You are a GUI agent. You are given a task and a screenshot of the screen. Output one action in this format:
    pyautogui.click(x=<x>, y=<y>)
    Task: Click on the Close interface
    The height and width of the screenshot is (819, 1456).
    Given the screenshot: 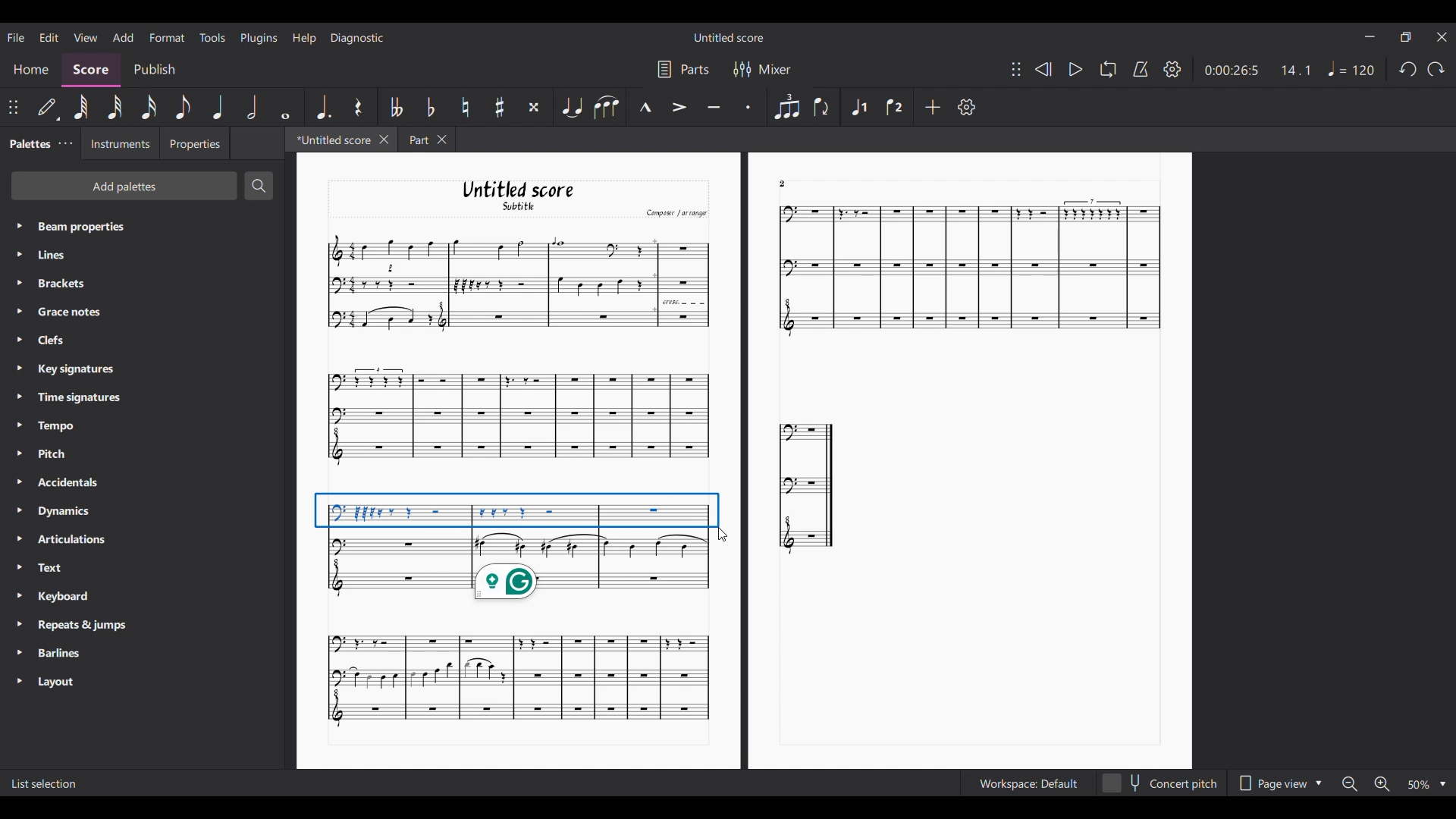 What is the action you would take?
    pyautogui.click(x=1442, y=37)
    